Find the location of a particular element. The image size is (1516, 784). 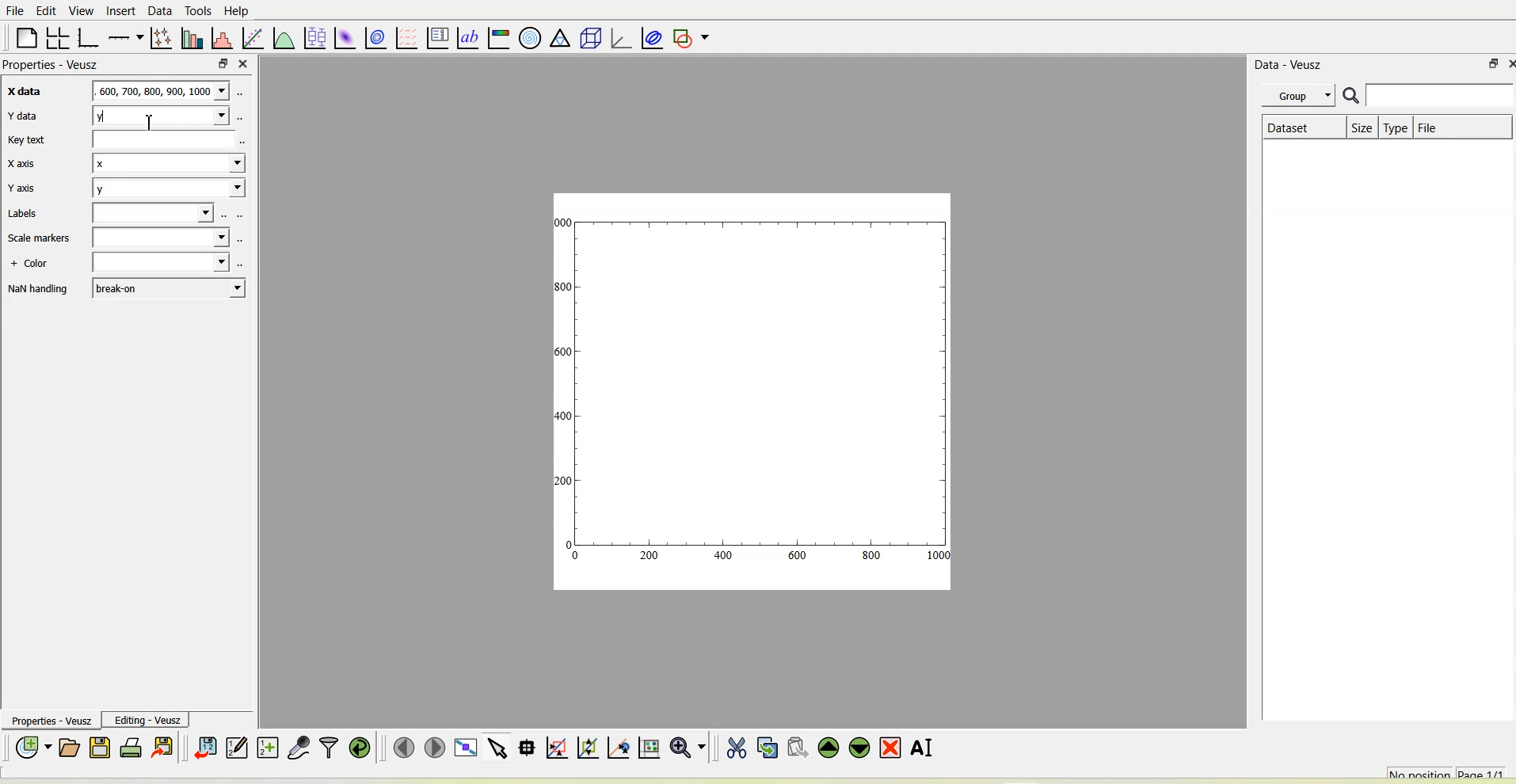

Histogram of a dataset is located at coordinates (222, 39).